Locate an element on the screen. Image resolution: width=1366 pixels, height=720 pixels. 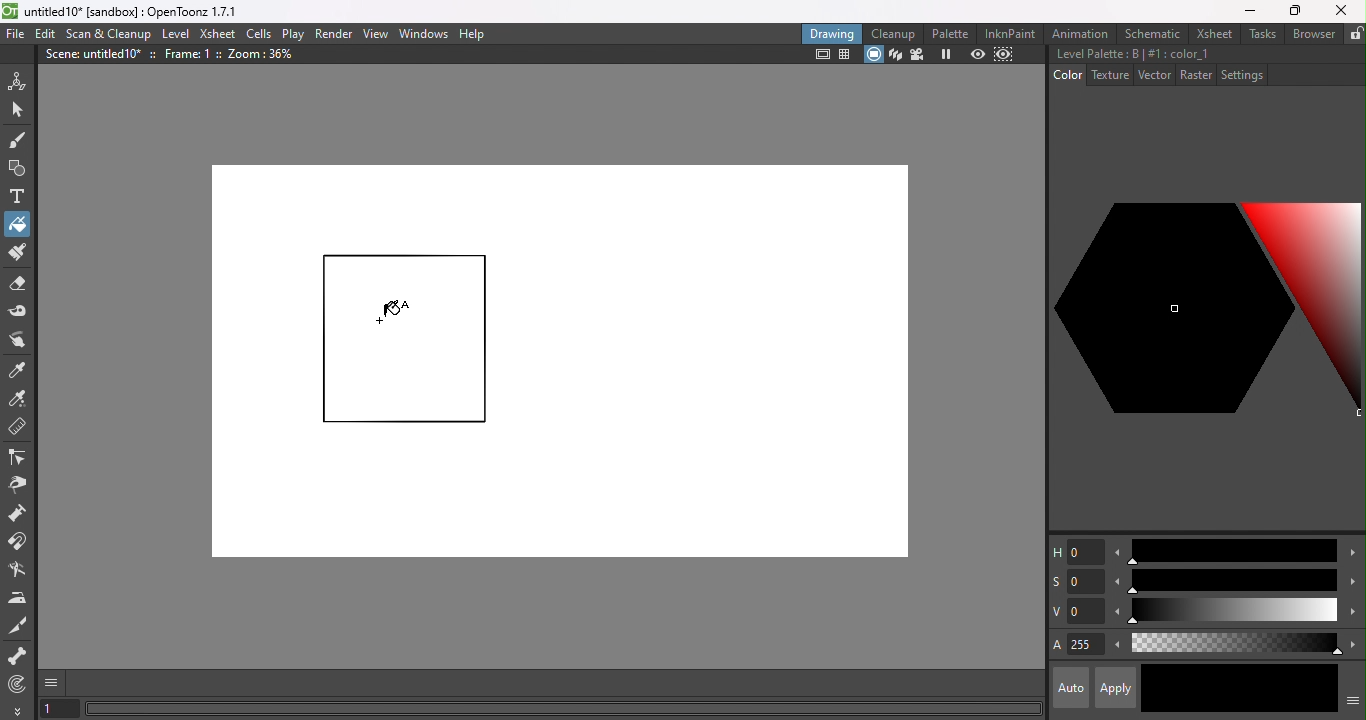
Scene details is located at coordinates (177, 57).